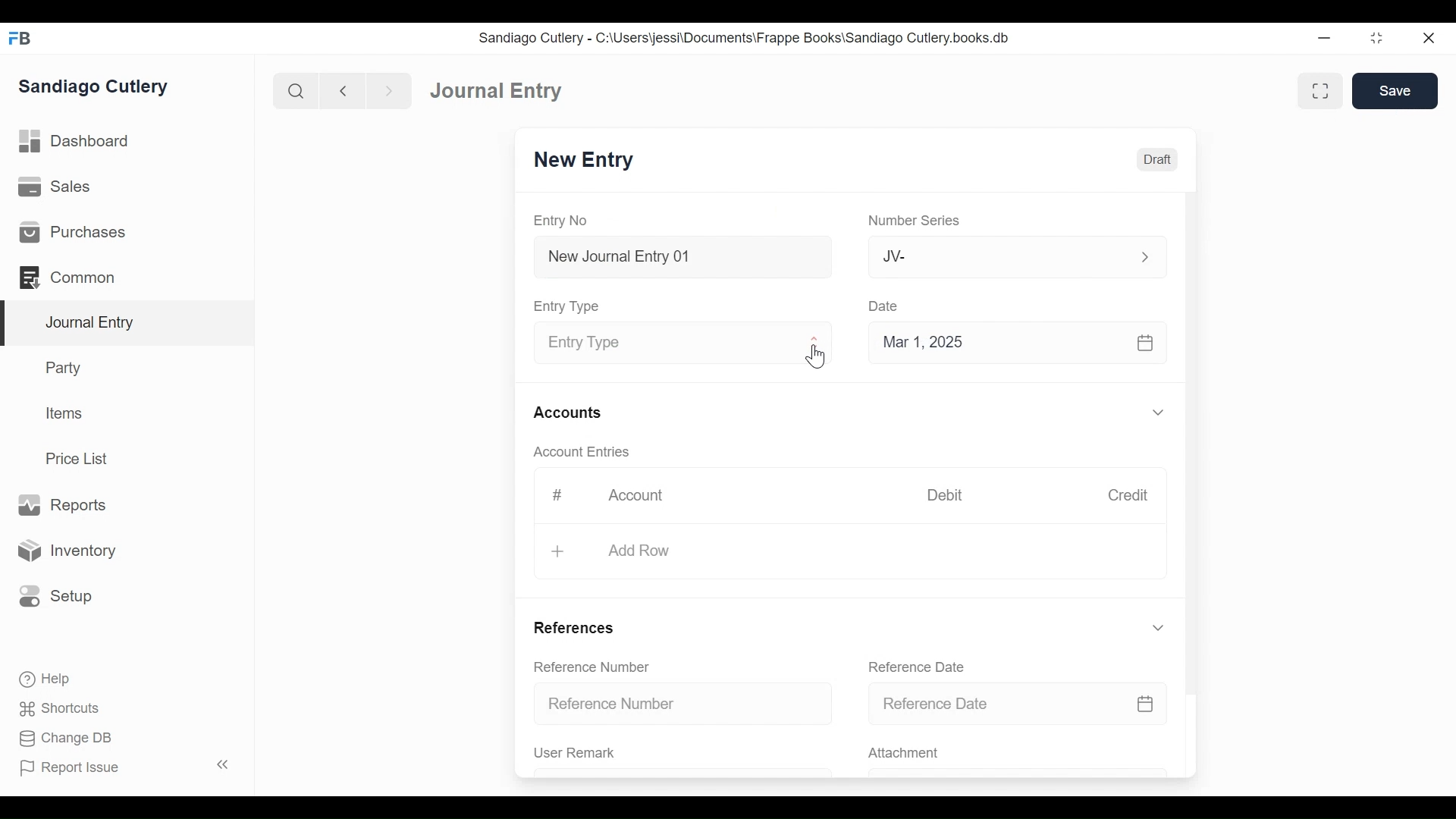 The height and width of the screenshot is (819, 1456). I want to click on Sandiago Cutlery - C:\Users\jessi\Documents\Frappe Books\Sandiago Cutlery.books.db, so click(748, 37).